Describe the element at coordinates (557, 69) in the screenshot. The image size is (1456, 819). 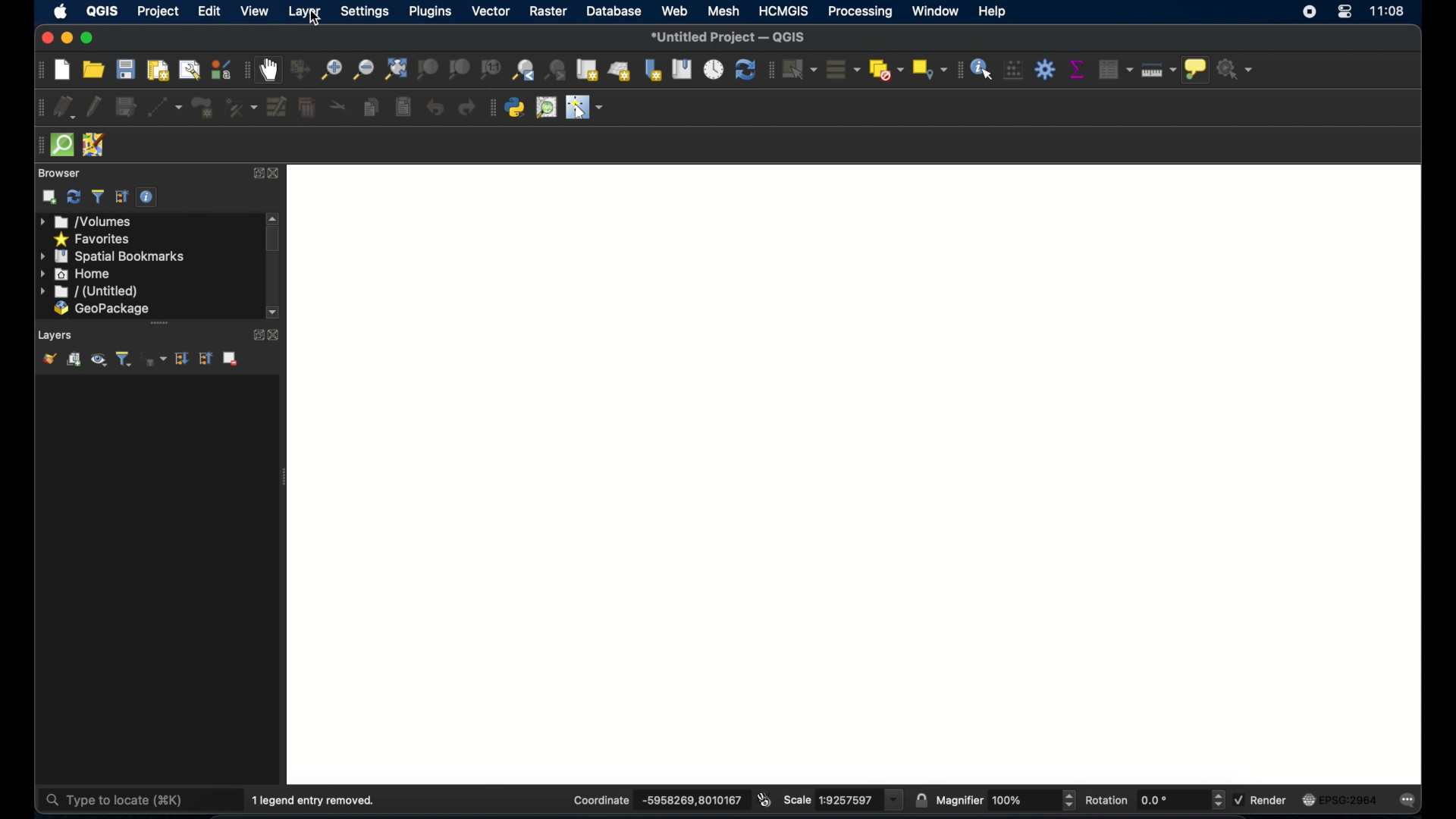
I see `zoom next` at that location.